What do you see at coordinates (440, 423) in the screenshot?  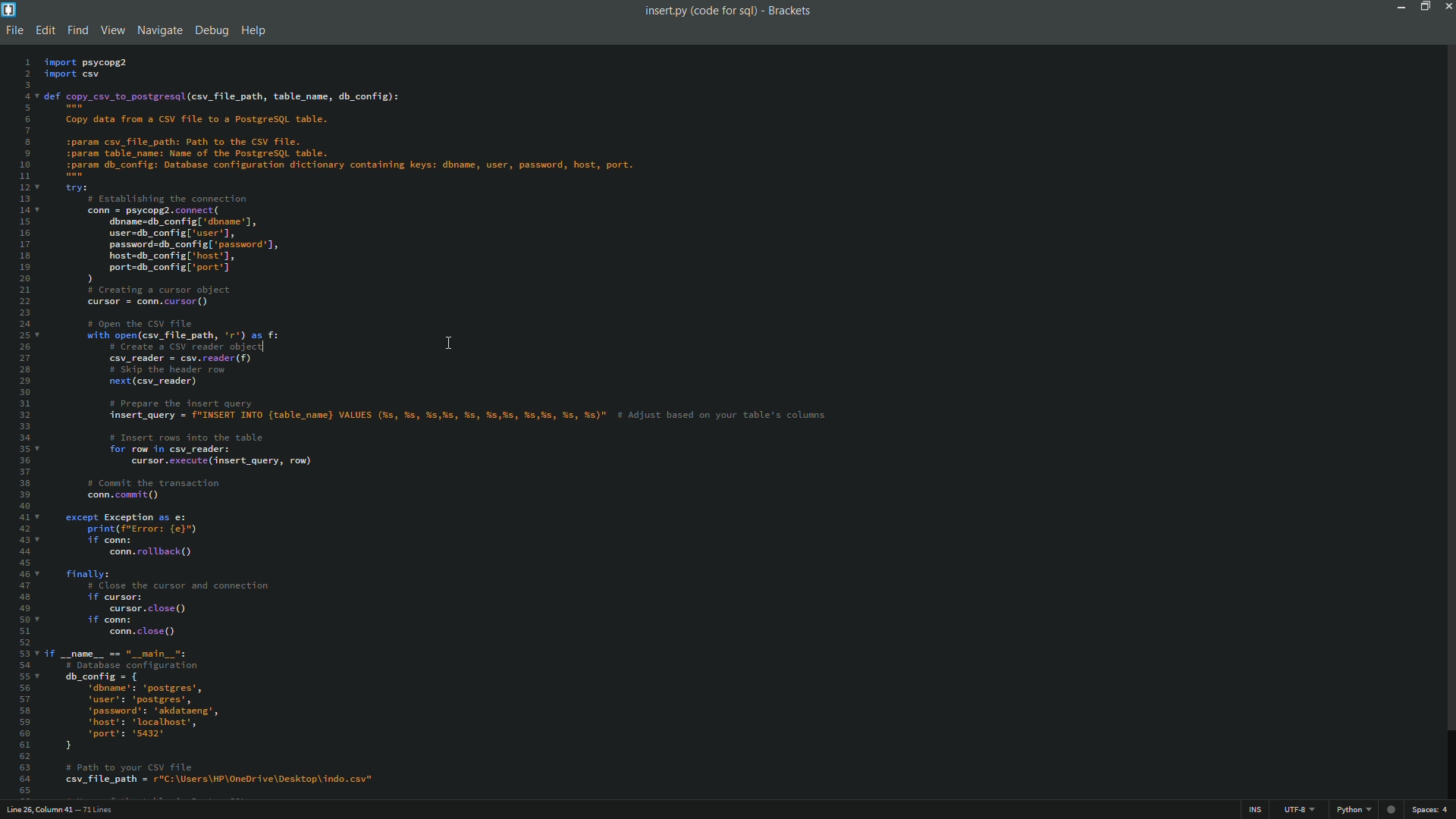 I see `file content` at bounding box center [440, 423].